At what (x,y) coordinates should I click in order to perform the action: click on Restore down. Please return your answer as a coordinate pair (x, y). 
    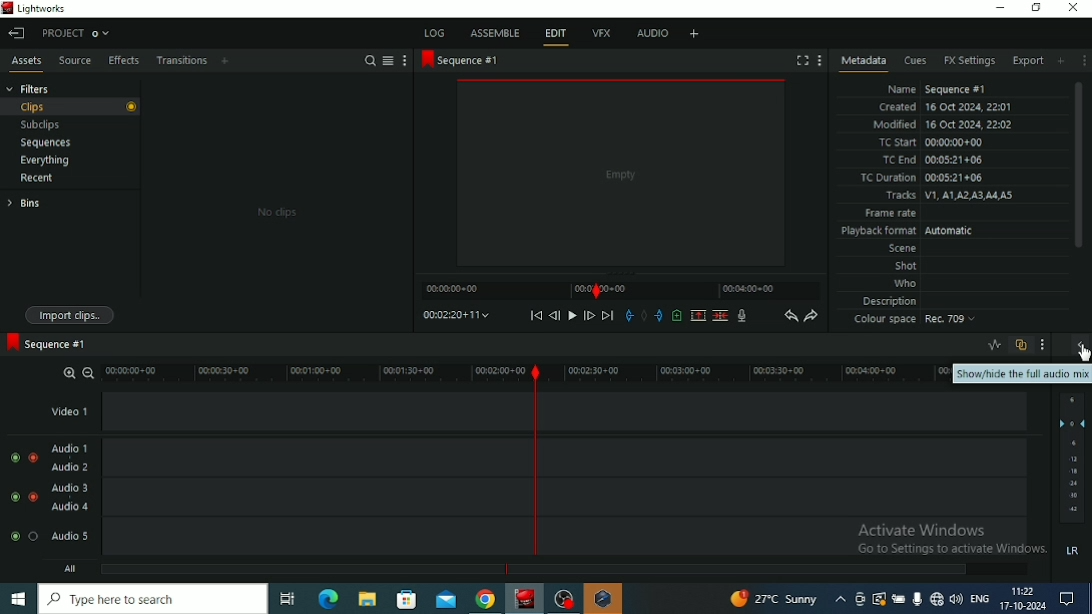
    Looking at the image, I should click on (1037, 7).